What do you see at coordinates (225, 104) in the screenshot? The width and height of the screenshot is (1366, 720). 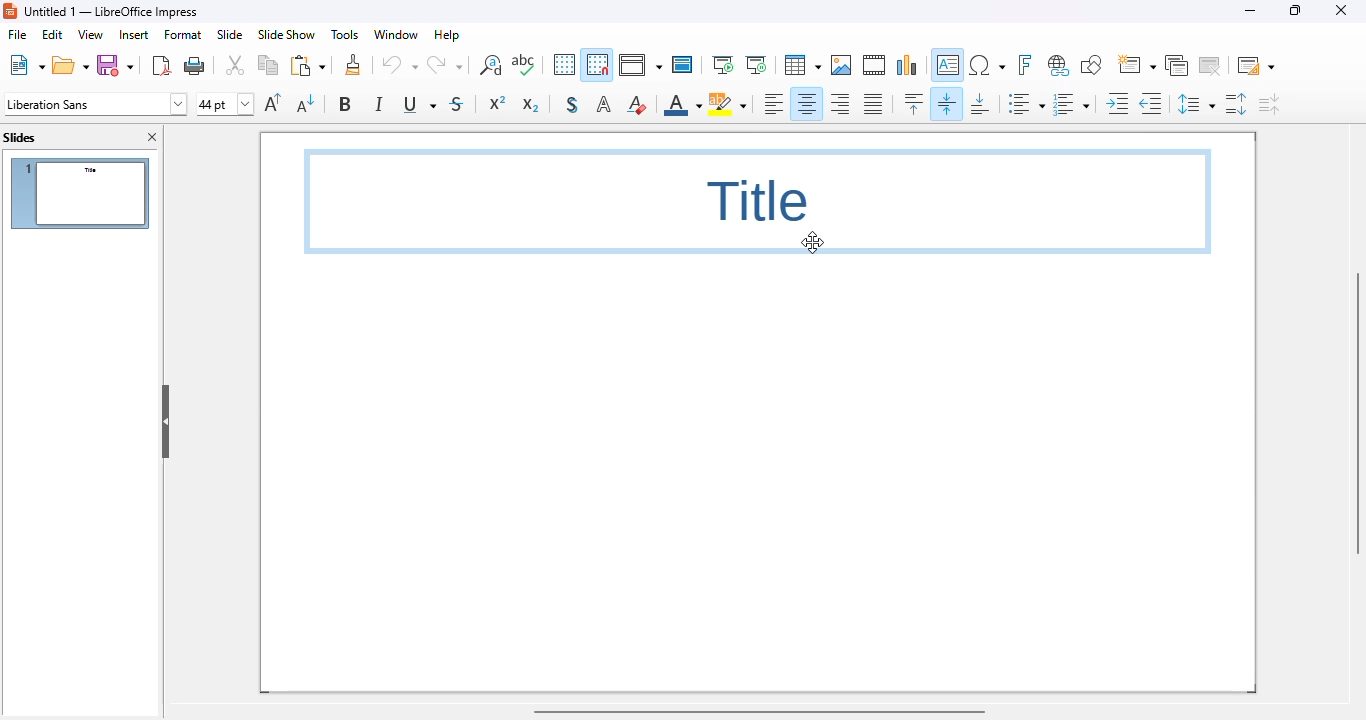 I see `font size` at bounding box center [225, 104].